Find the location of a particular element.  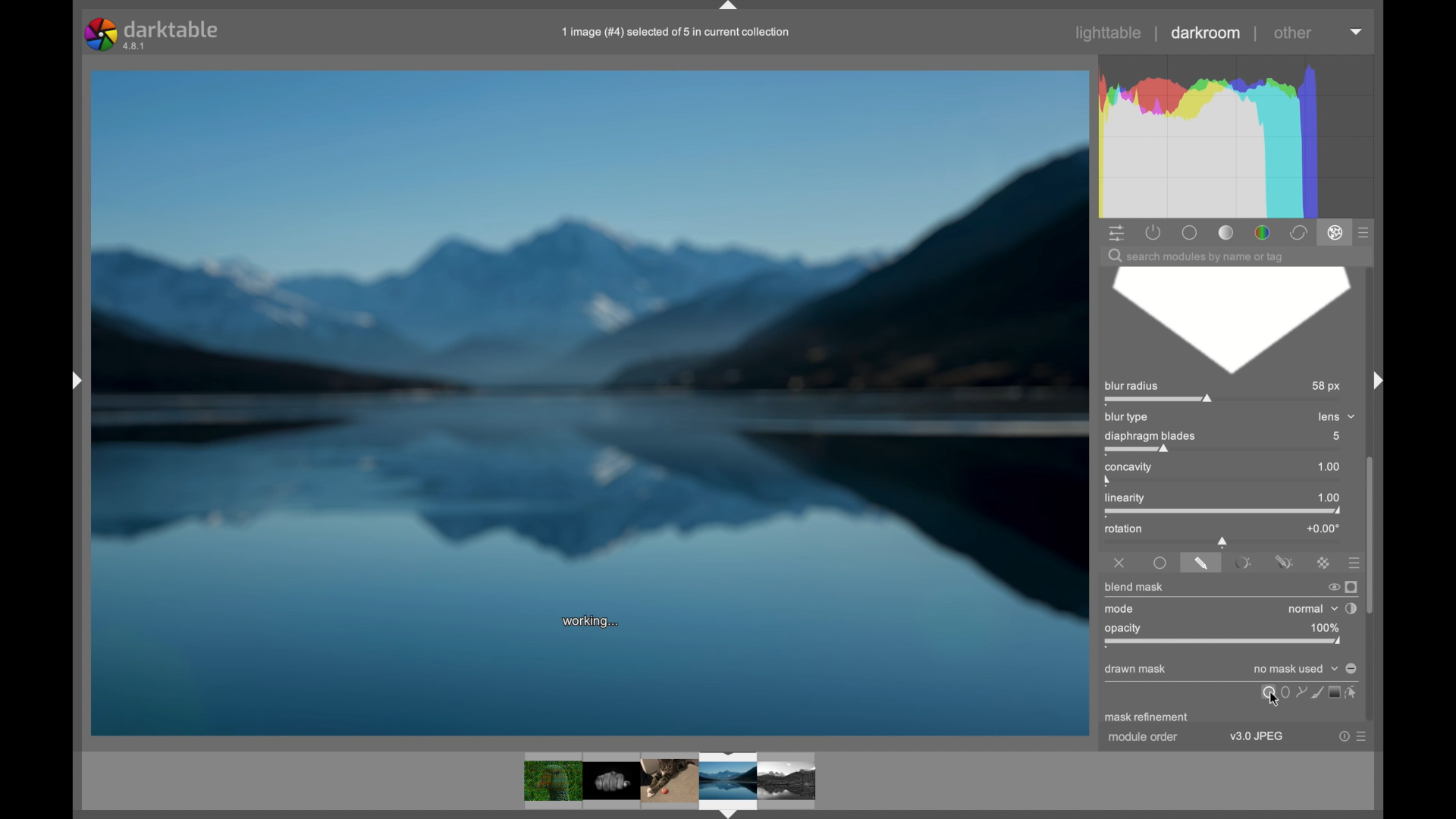

diaphragm blades is located at coordinates (1152, 441).